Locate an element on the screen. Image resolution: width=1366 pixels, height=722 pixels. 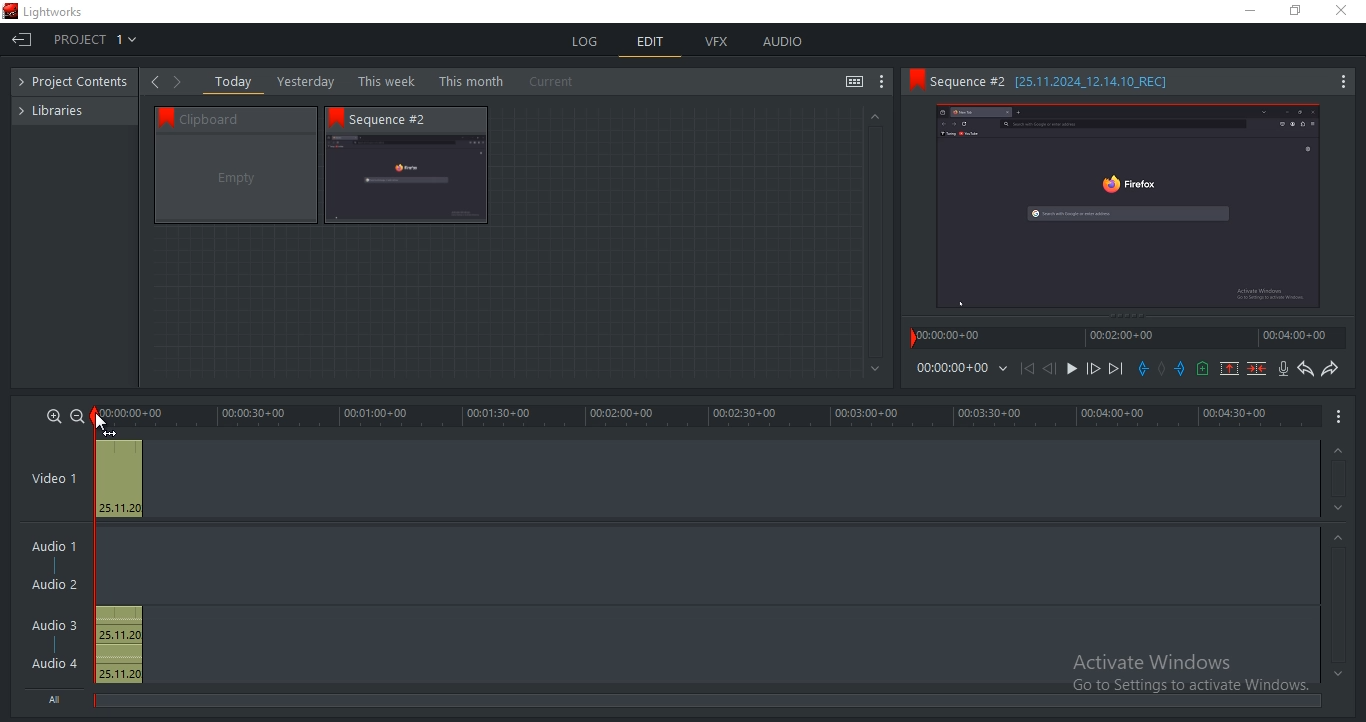
show settings menu is located at coordinates (882, 82).